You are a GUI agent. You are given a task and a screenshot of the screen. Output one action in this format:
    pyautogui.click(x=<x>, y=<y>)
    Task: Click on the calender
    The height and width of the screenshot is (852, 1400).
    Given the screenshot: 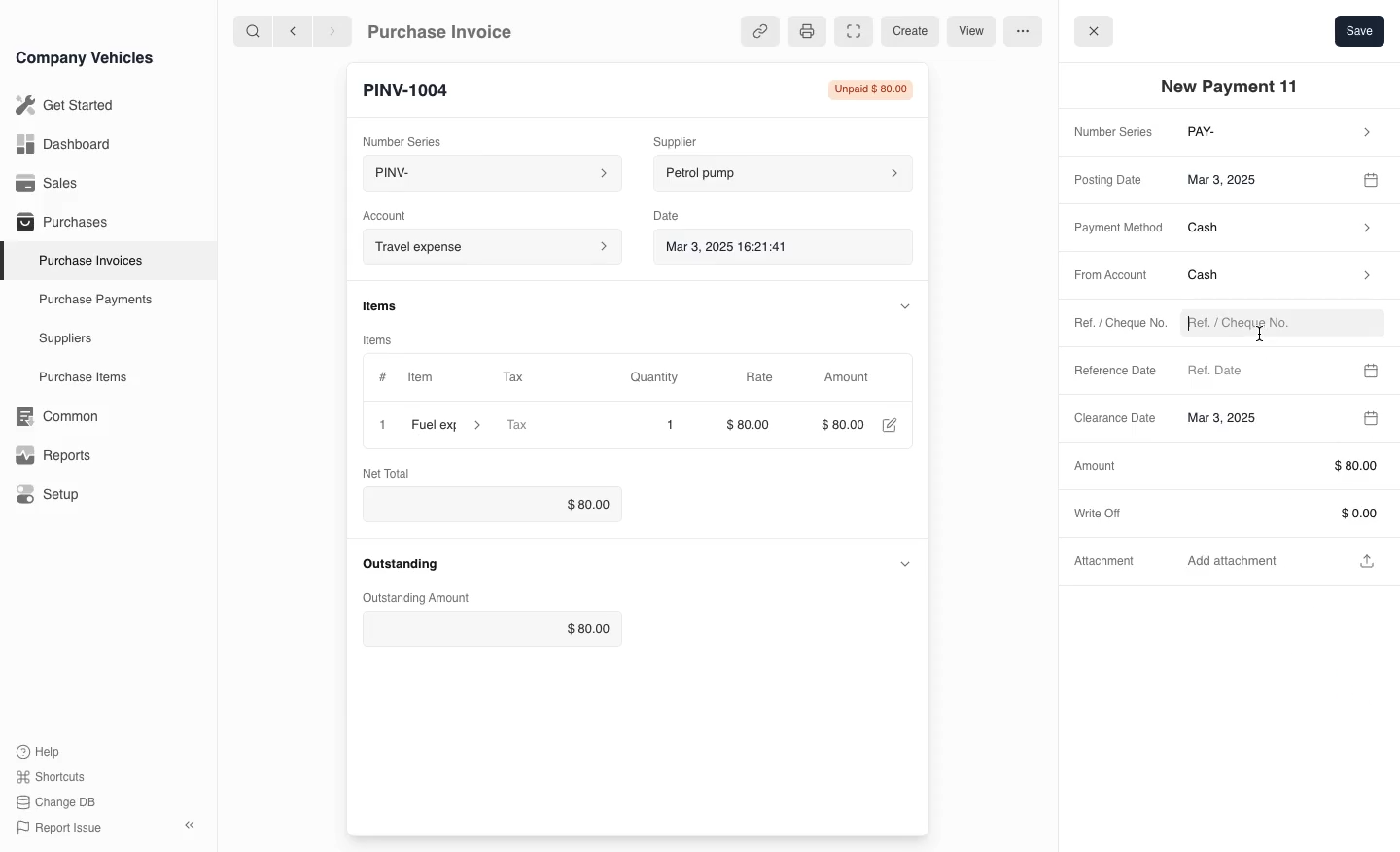 What is the action you would take?
    pyautogui.click(x=1374, y=178)
    